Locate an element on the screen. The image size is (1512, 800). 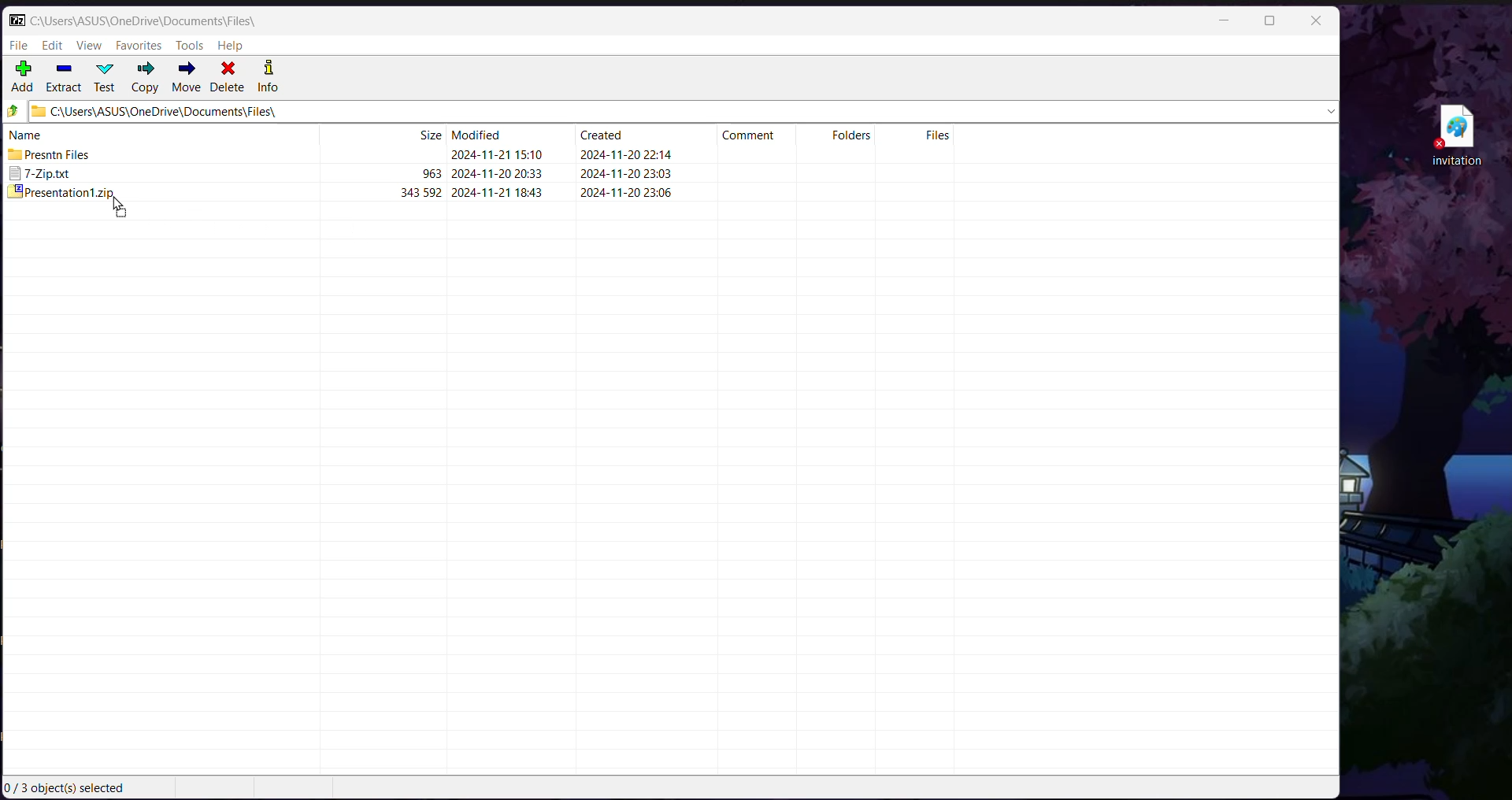
File is located at coordinates (20, 44).